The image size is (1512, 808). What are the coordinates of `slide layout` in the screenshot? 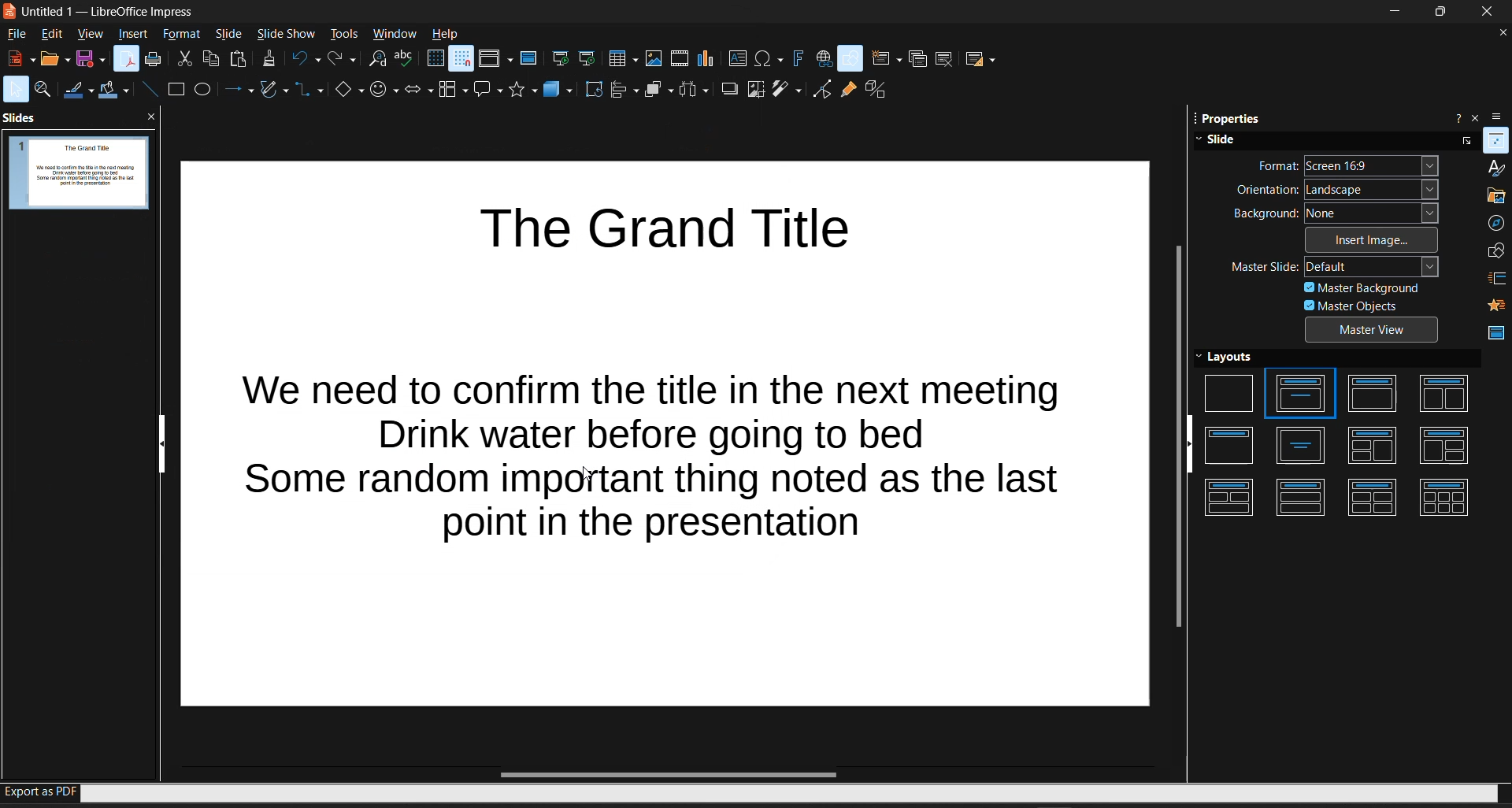 It's located at (980, 59).